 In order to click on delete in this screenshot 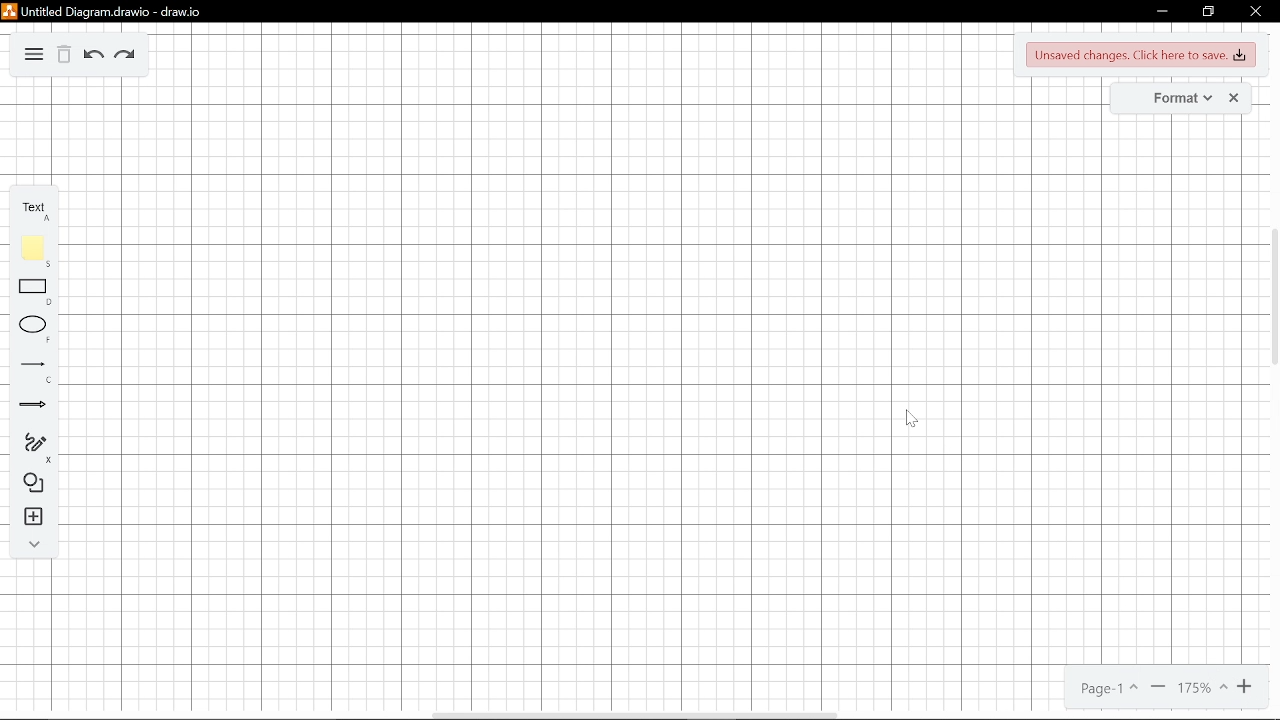, I will do `click(66, 55)`.